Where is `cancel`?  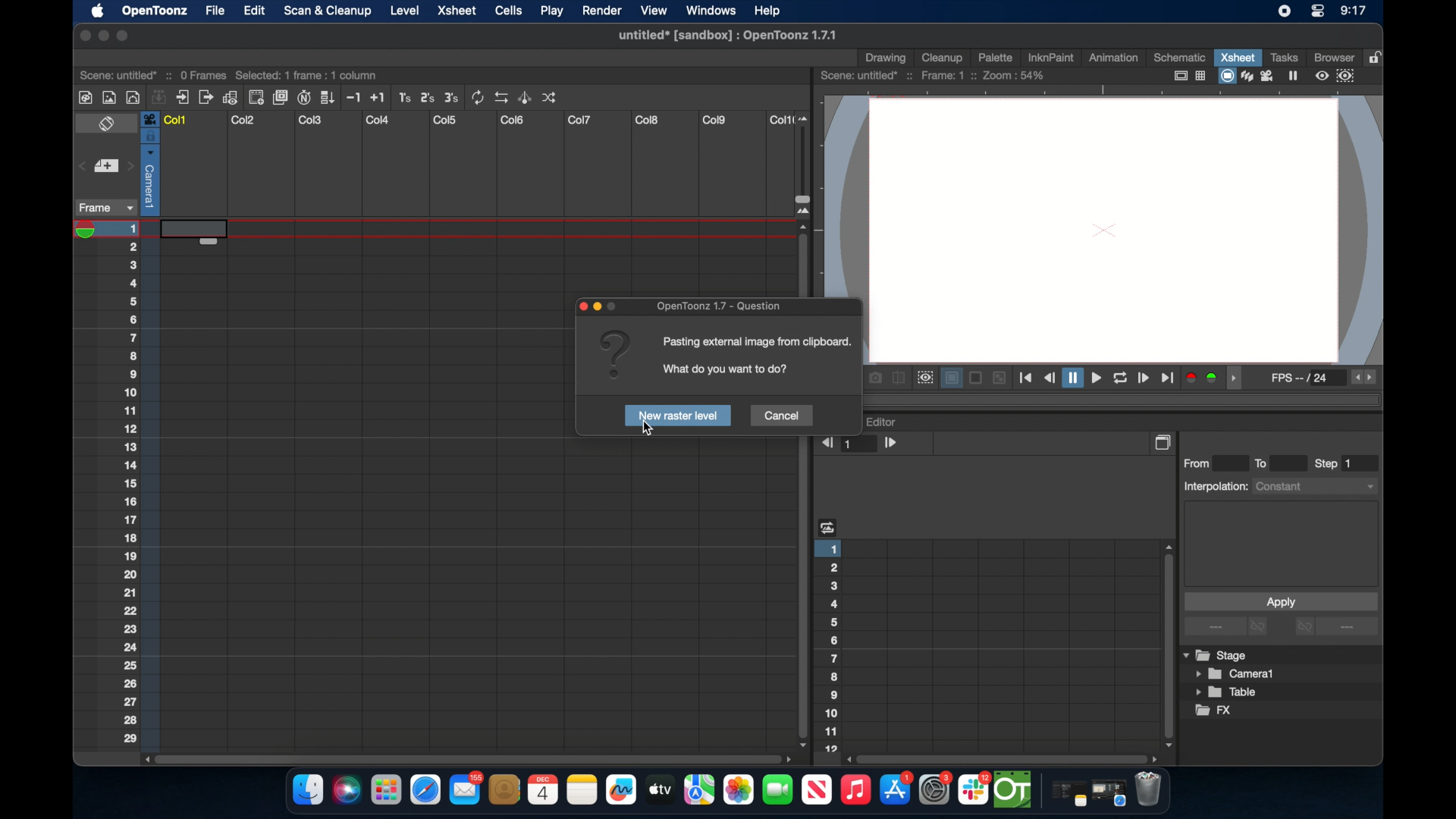 cancel is located at coordinates (784, 415).